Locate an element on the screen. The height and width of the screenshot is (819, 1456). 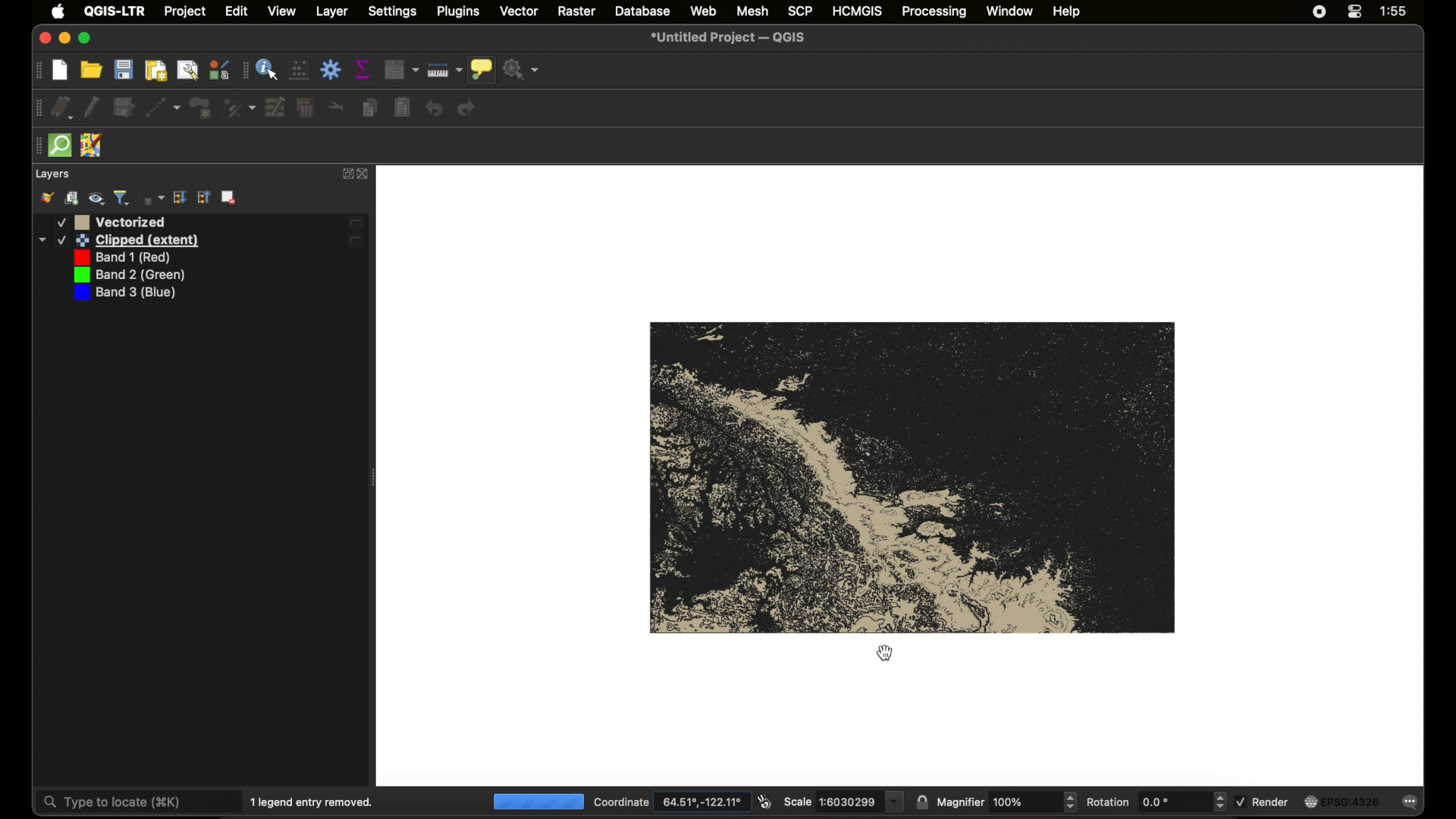
maximize is located at coordinates (86, 39).